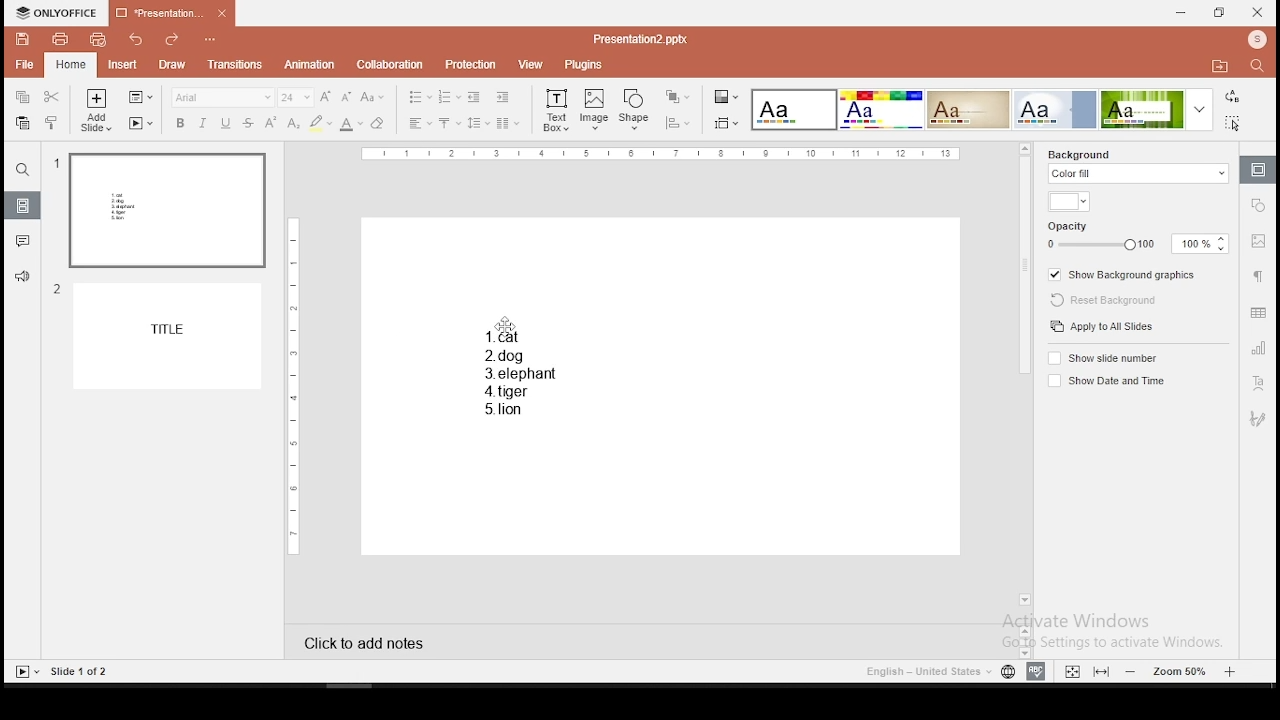 The width and height of the screenshot is (1280, 720). Describe the element at coordinates (1260, 418) in the screenshot. I see `art` at that location.